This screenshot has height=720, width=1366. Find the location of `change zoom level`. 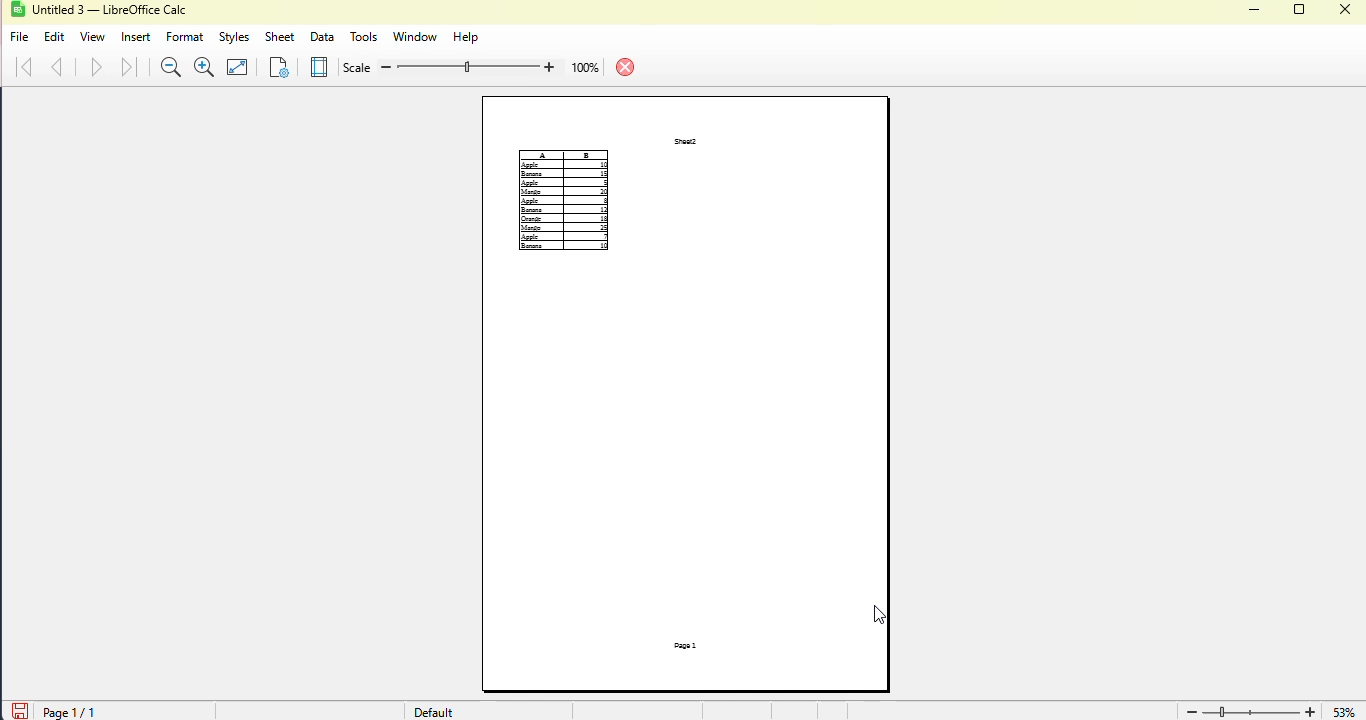

change zoom level is located at coordinates (1251, 710).